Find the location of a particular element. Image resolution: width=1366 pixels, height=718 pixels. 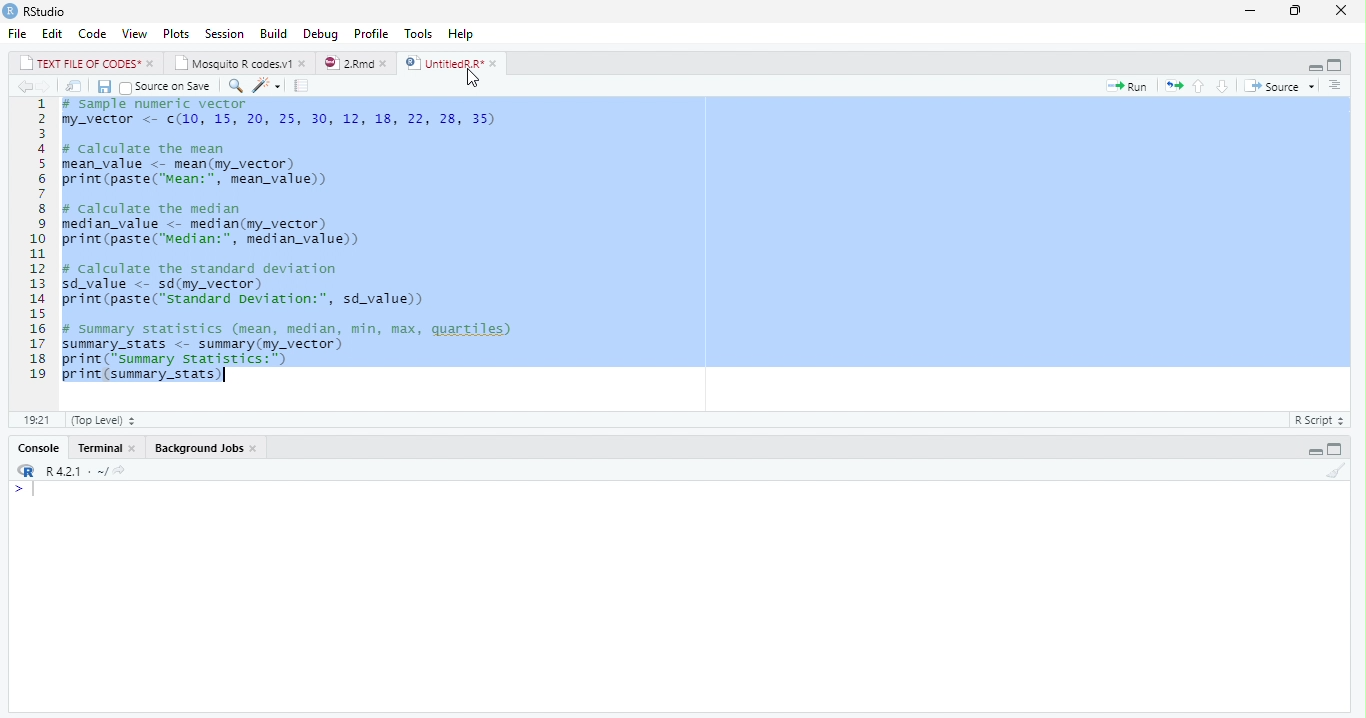

back is located at coordinates (24, 87).